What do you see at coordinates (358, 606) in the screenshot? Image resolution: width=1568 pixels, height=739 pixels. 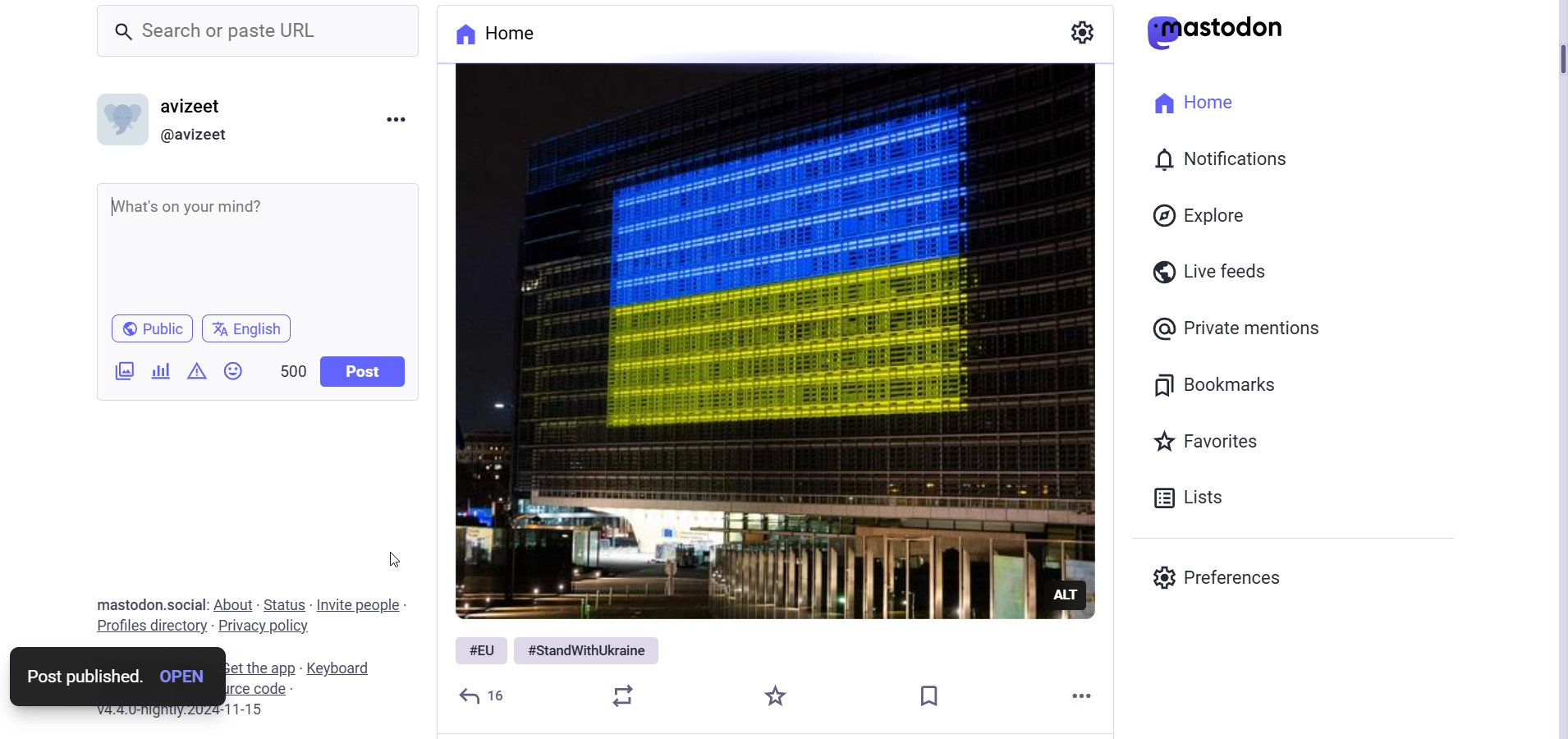 I see `Invite People` at bounding box center [358, 606].